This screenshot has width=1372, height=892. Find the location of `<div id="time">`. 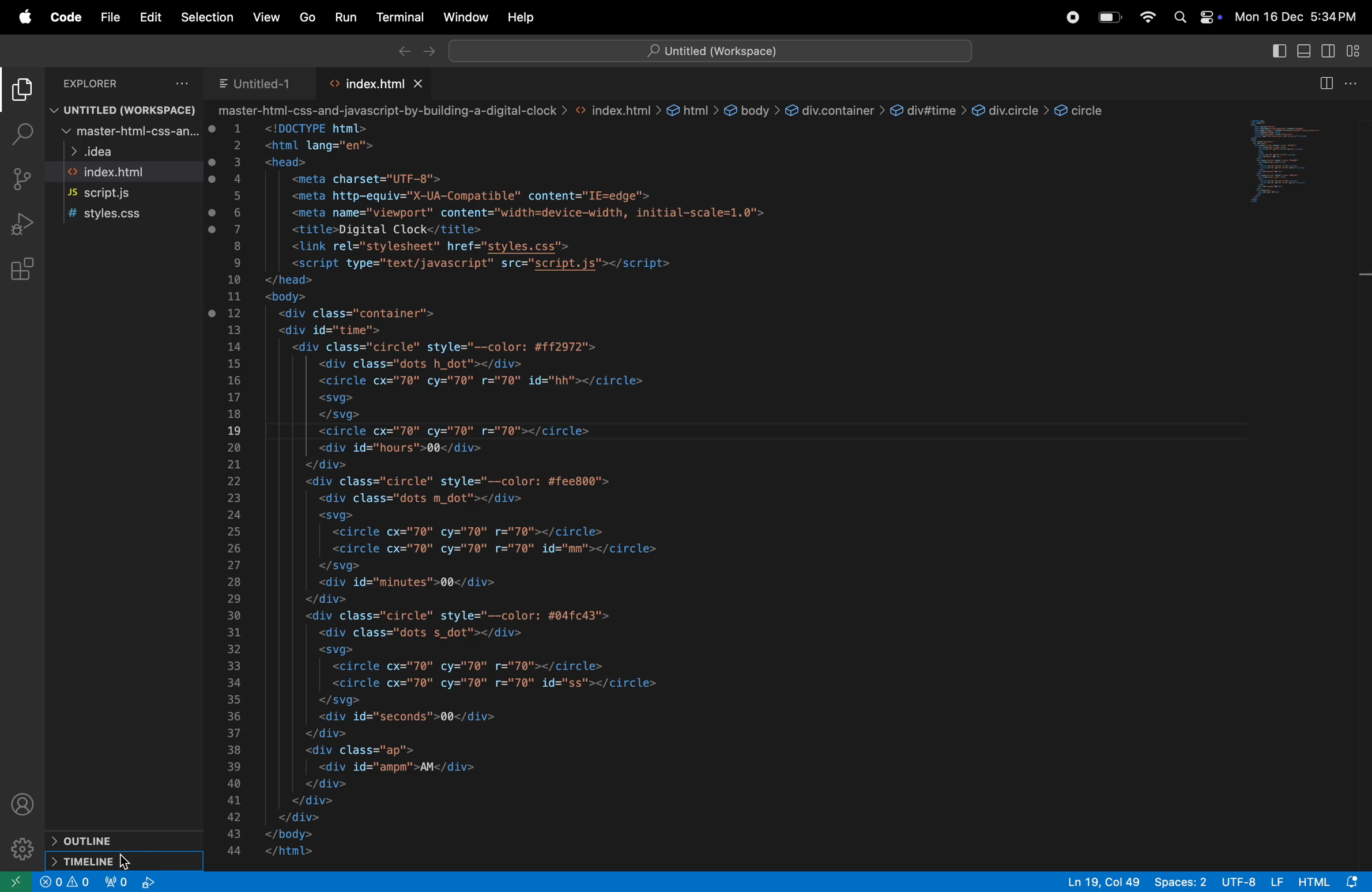

<div id="time"> is located at coordinates (330, 330).